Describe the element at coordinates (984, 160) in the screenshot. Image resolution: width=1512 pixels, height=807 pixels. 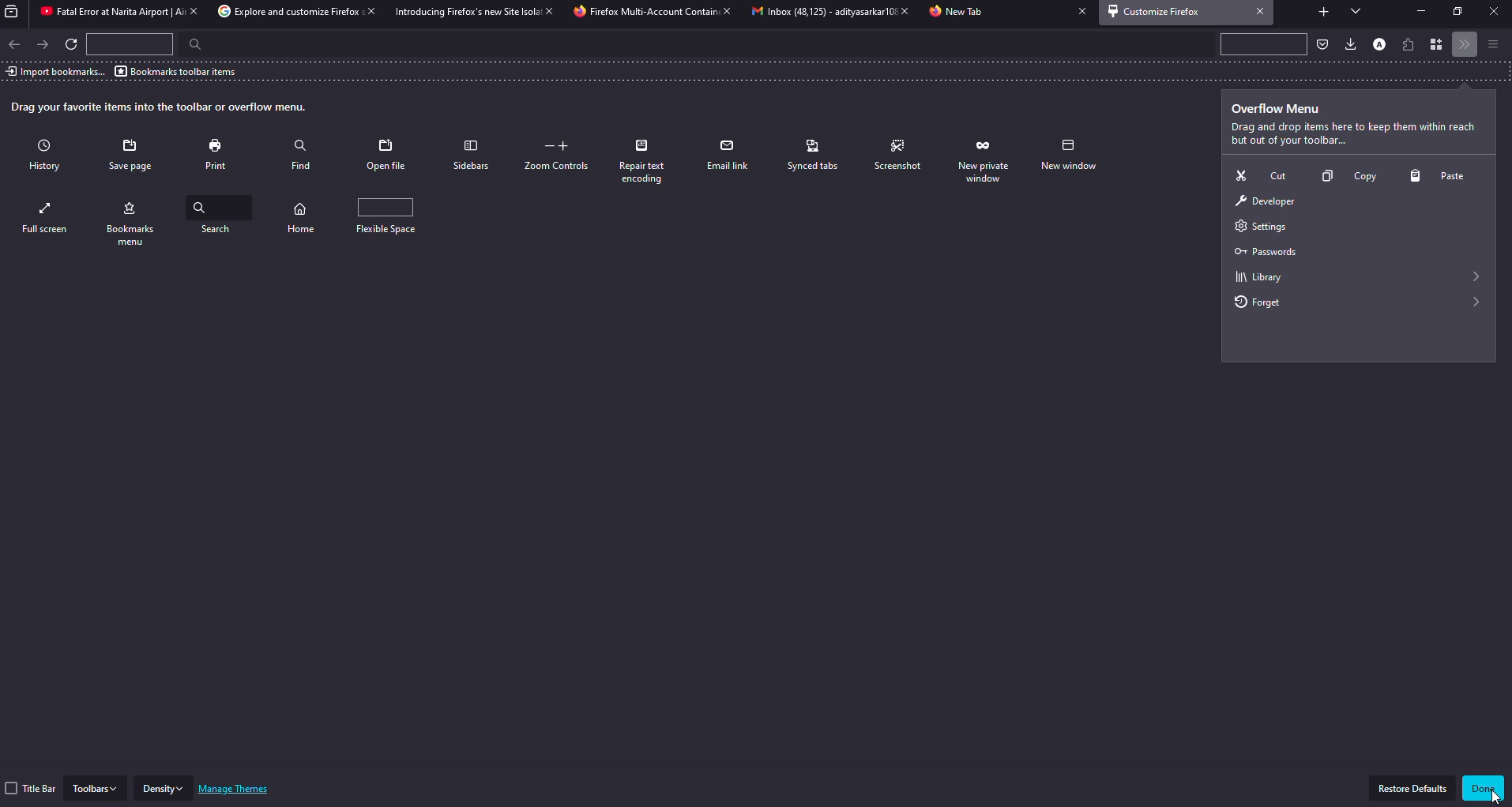
I see `forget` at that location.